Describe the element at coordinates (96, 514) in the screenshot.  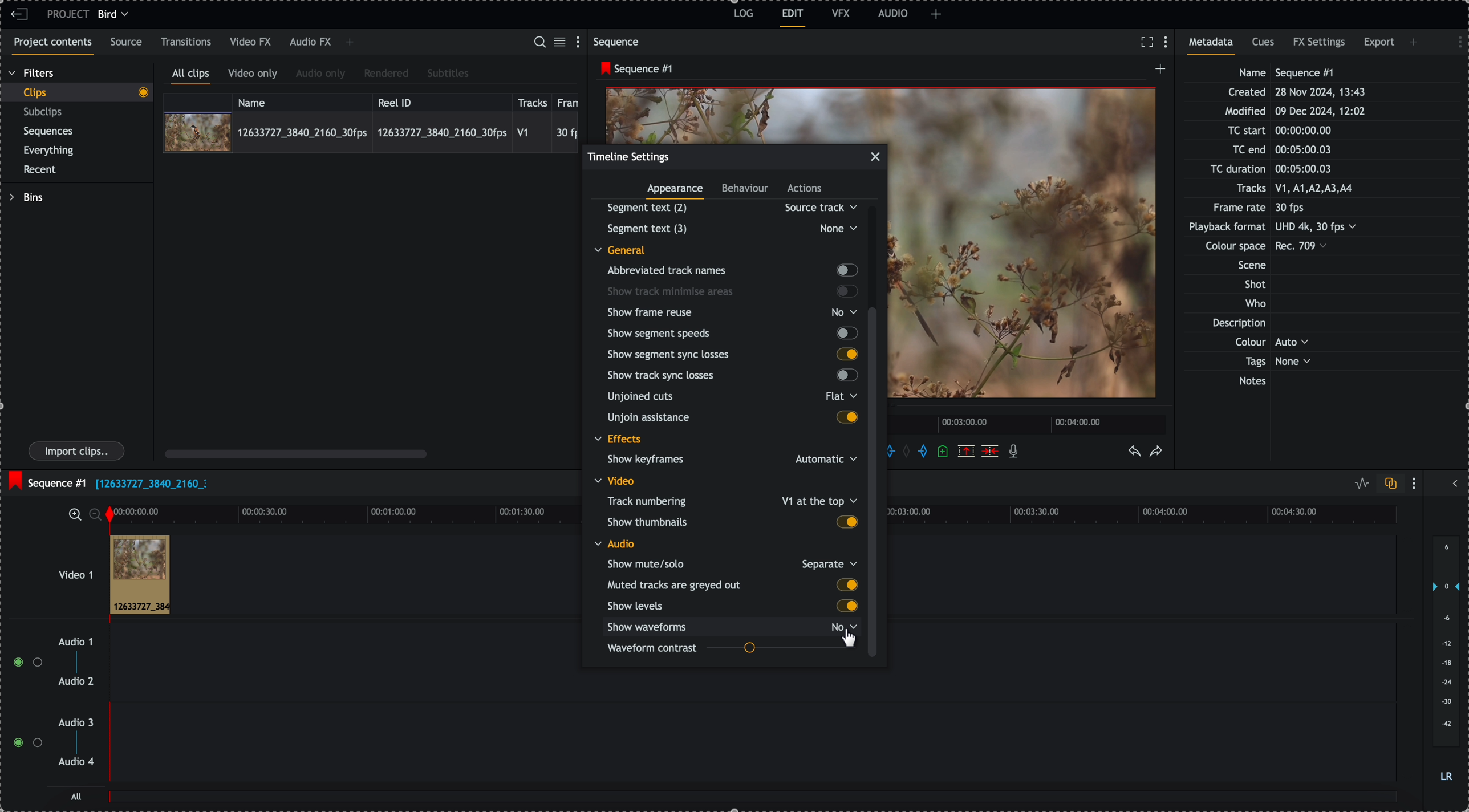
I see `zoom ouy` at that location.